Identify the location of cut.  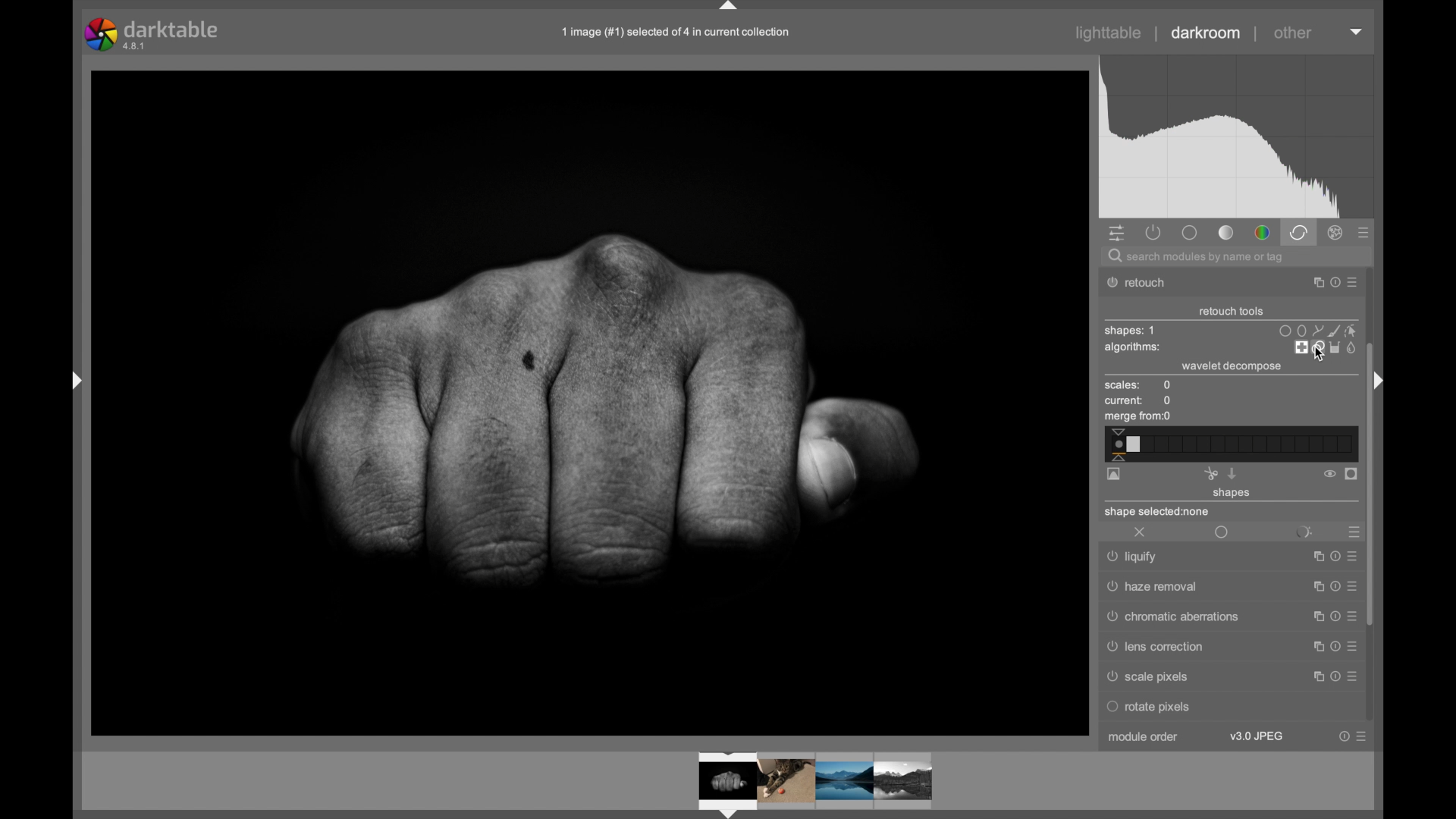
(1210, 473).